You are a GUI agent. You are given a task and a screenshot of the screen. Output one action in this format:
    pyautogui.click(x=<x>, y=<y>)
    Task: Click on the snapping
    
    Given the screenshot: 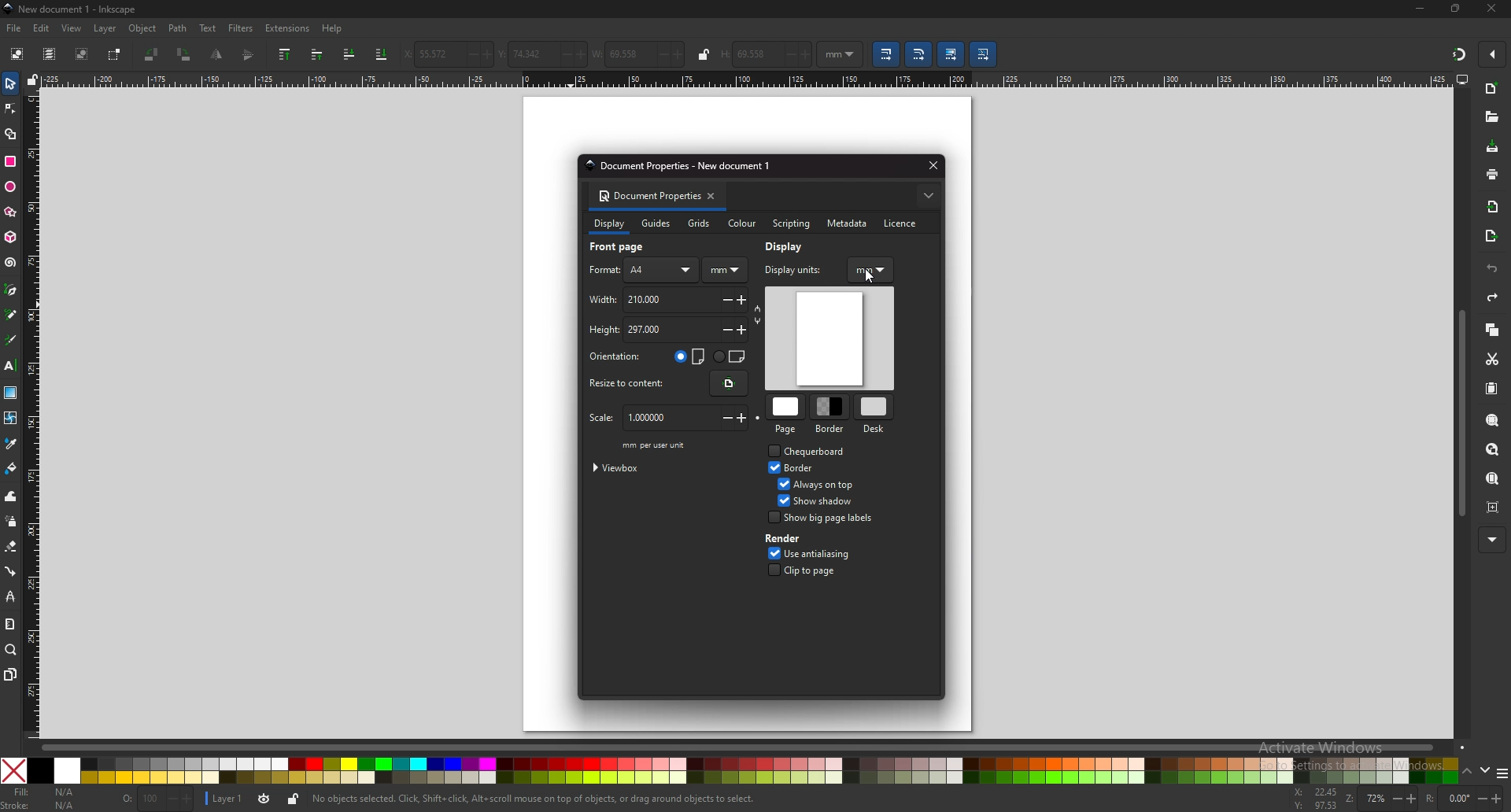 What is the action you would take?
    pyautogui.click(x=1457, y=54)
    